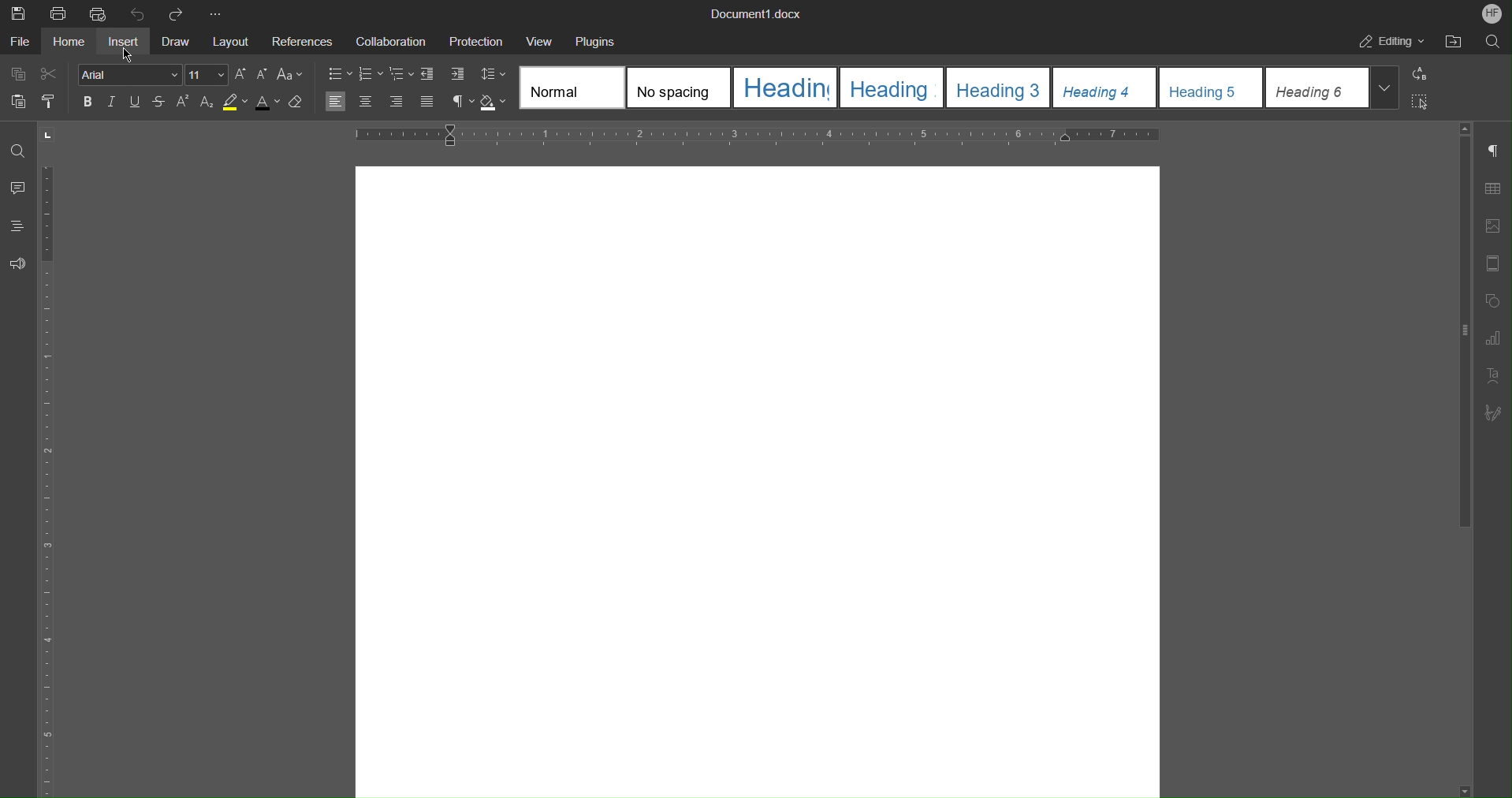  What do you see at coordinates (54, 74) in the screenshot?
I see `Cut` at bounding box center [54, 74].